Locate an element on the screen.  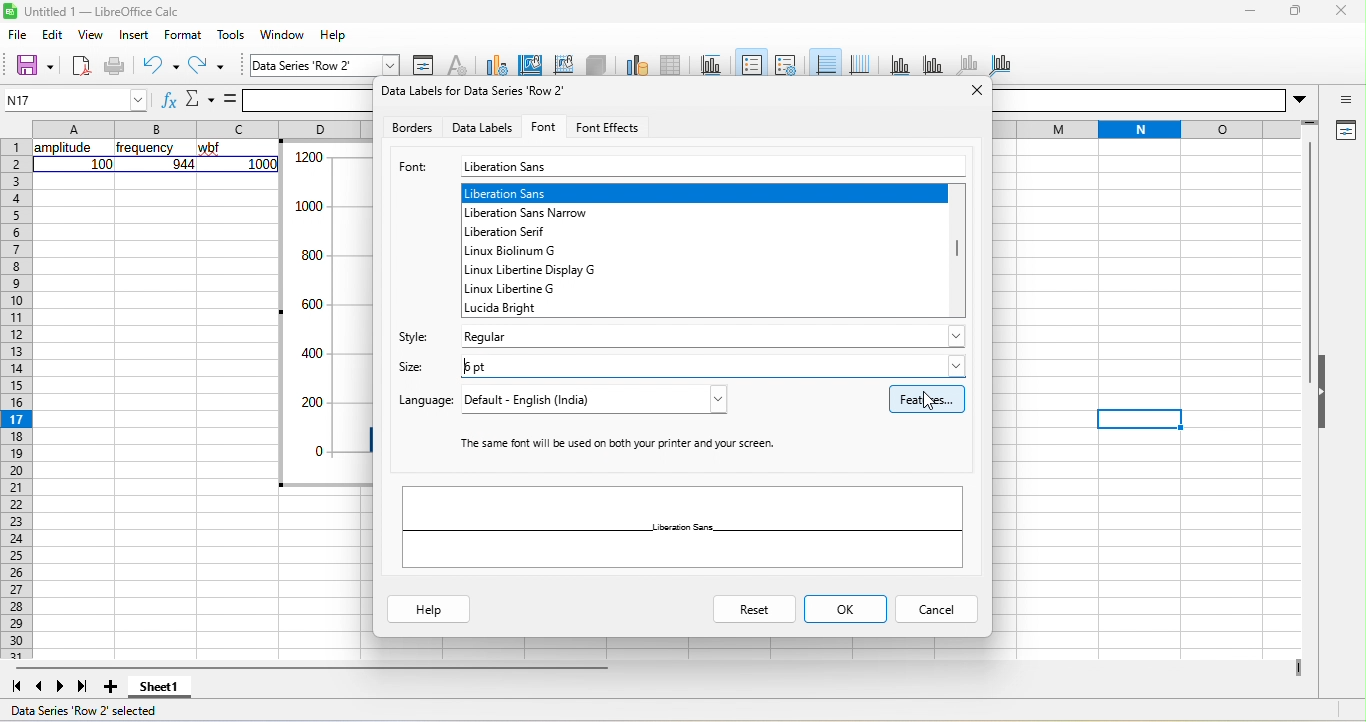
column headings is located at coordinates (199, 127).